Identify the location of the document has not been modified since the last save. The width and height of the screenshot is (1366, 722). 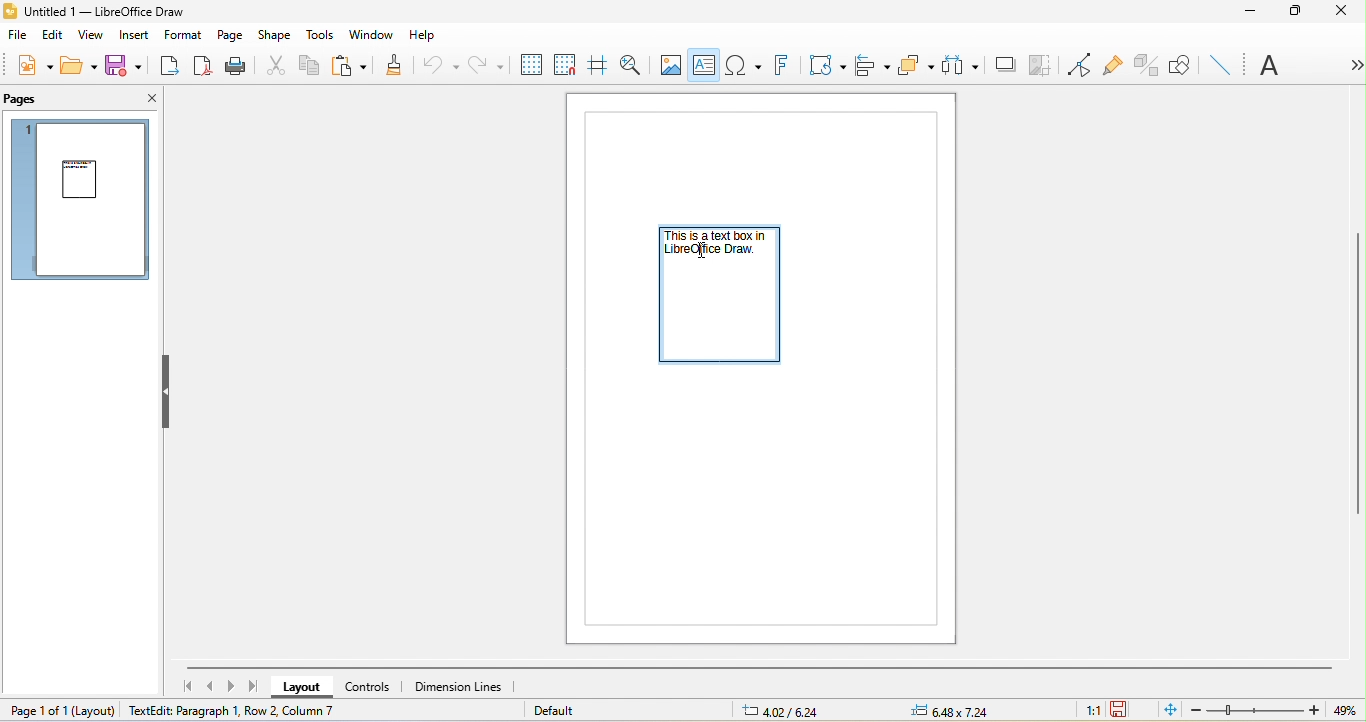
(1125, 711).